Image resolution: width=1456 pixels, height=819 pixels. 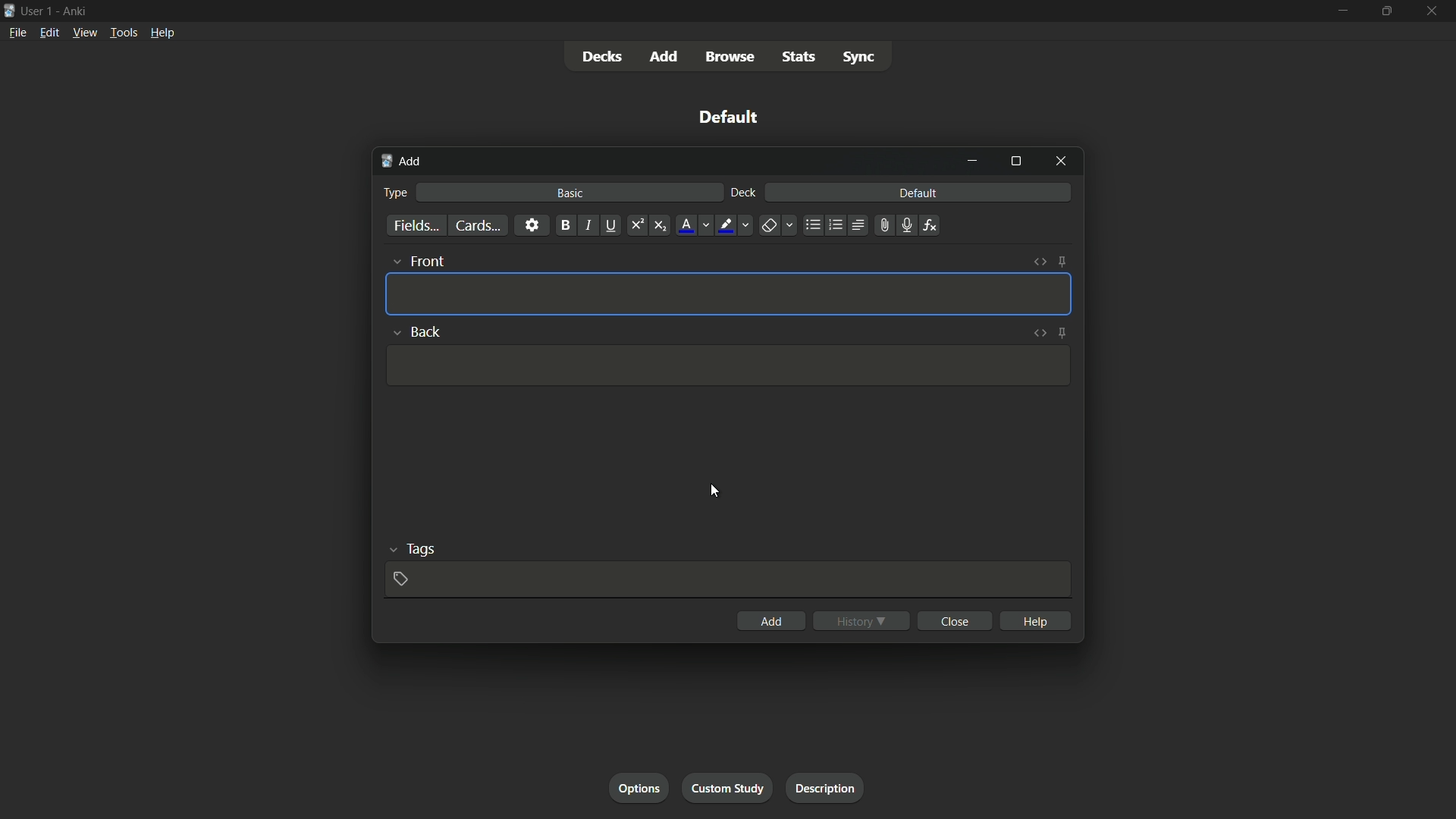 What do you see at coordinates (9, 9) in the screenshot?
I see `icon` at bounding box center [9, 9].